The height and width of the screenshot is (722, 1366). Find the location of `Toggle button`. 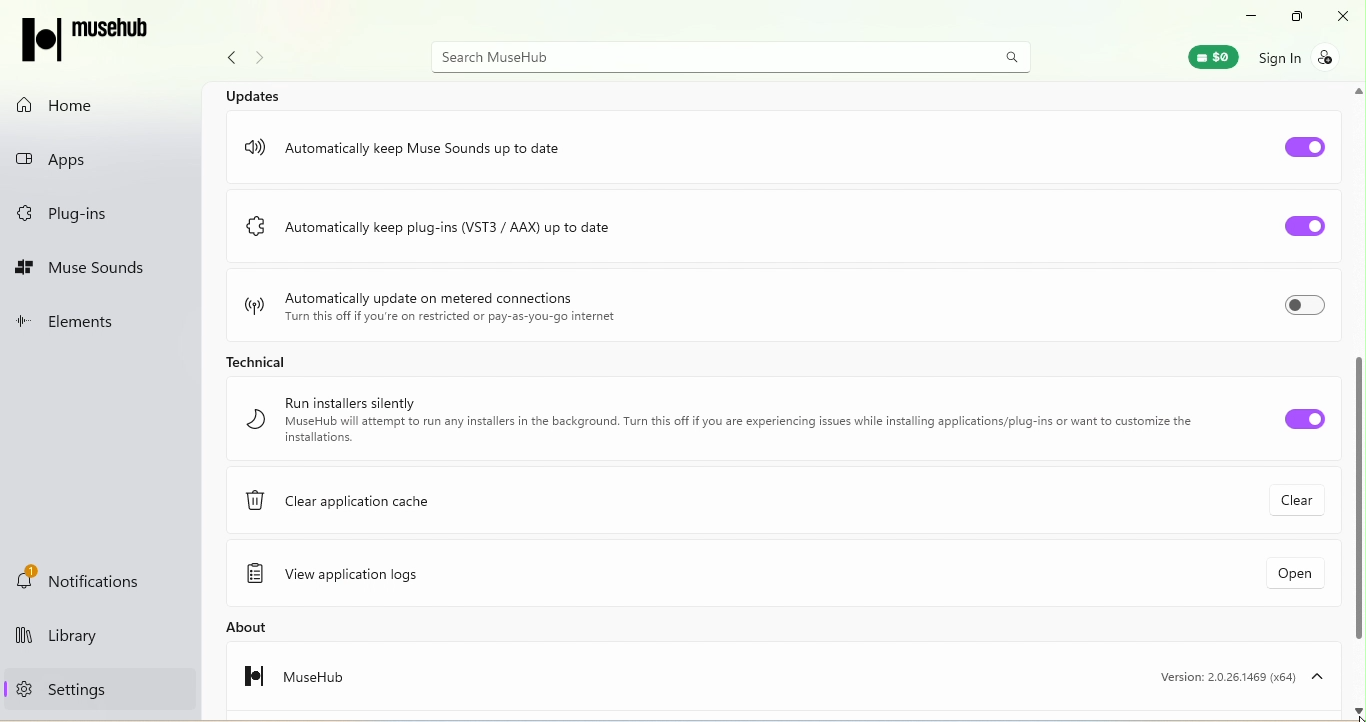

Toggle button is located at coordinates (1295, 228).